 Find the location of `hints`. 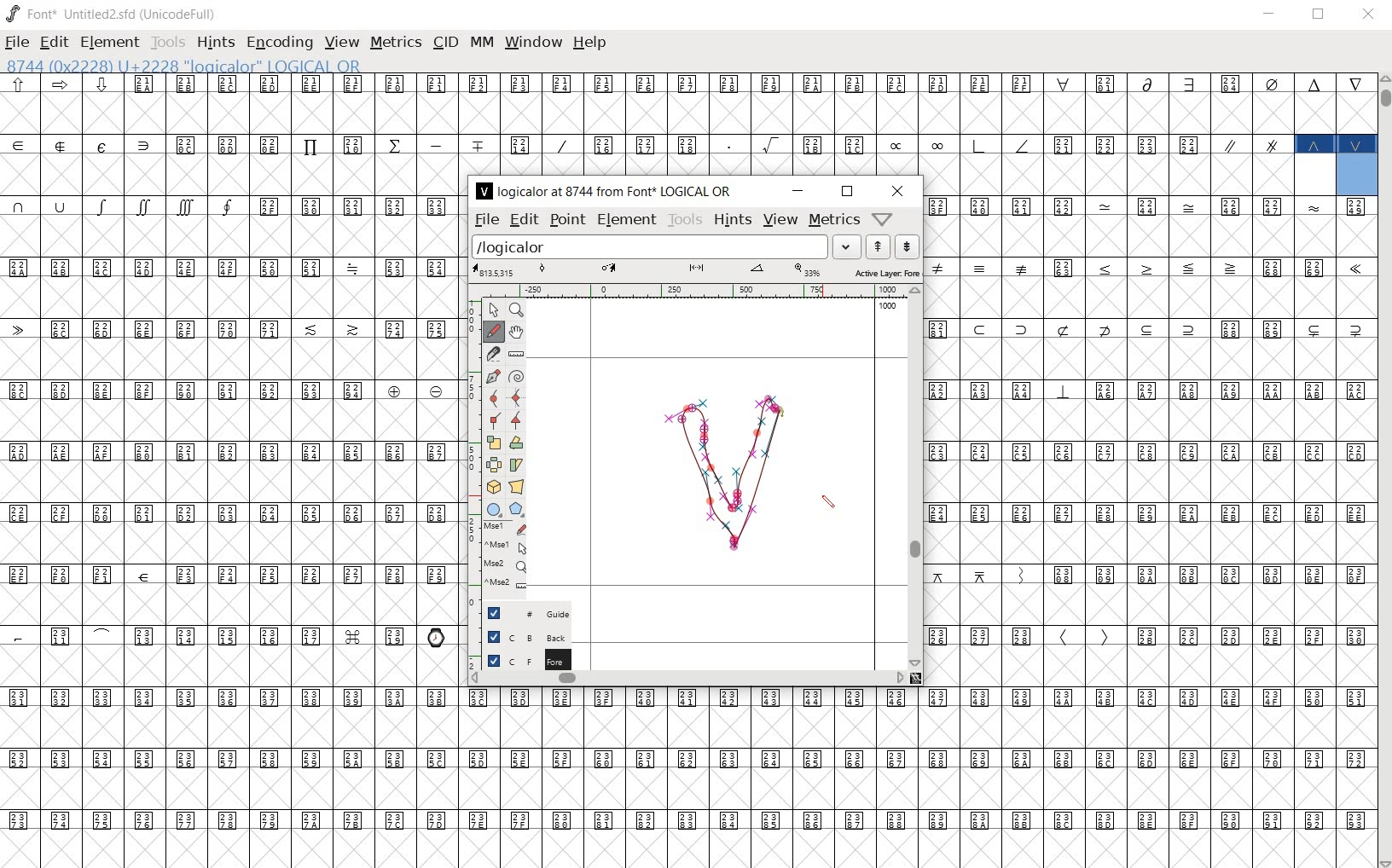

hints is located at coordinates (214, 44).